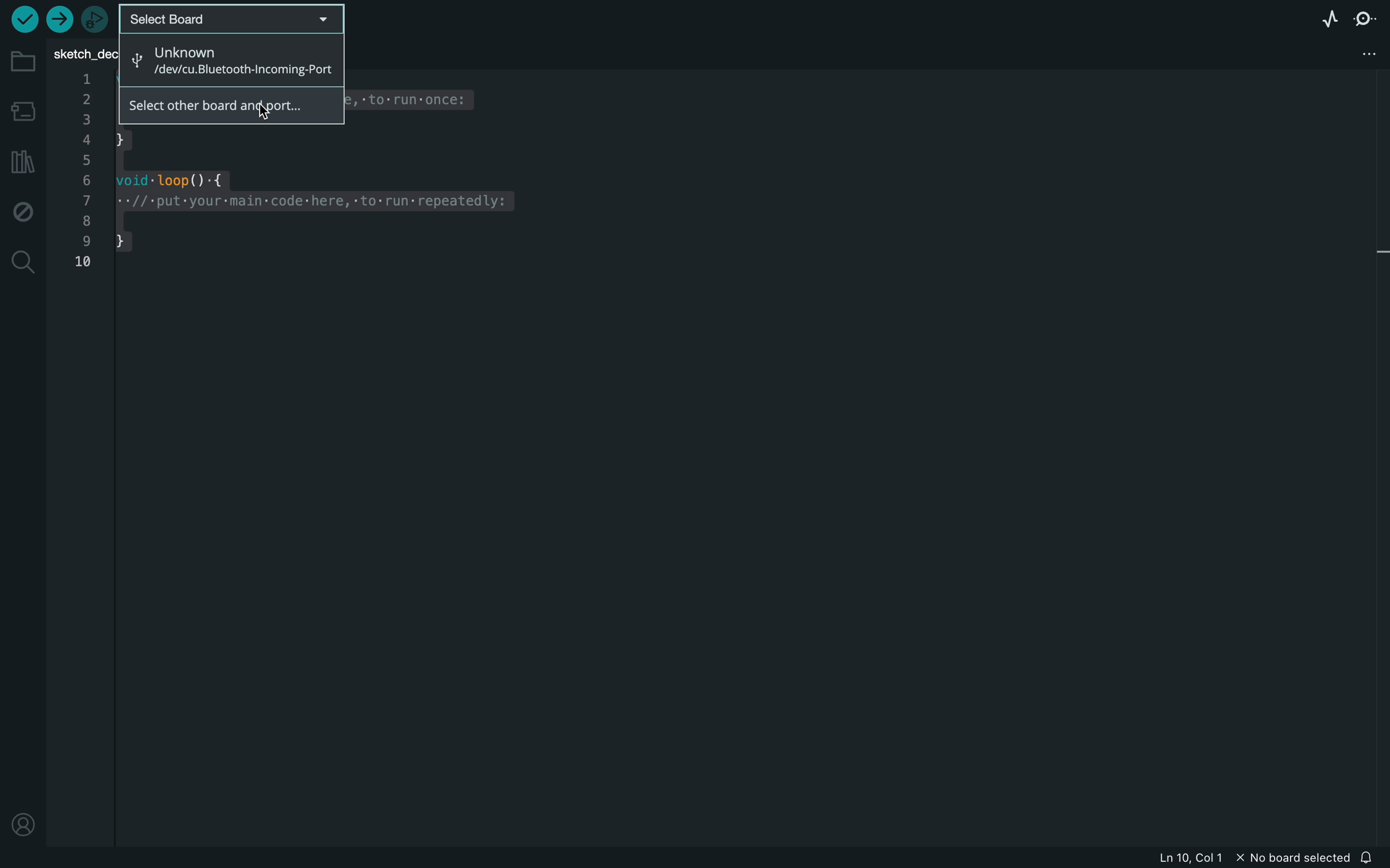 The width and height of the screenshot is (1390, 868). Describe the element at coordinates (84, 52) in the screenshot. I see `file tab` at that location.